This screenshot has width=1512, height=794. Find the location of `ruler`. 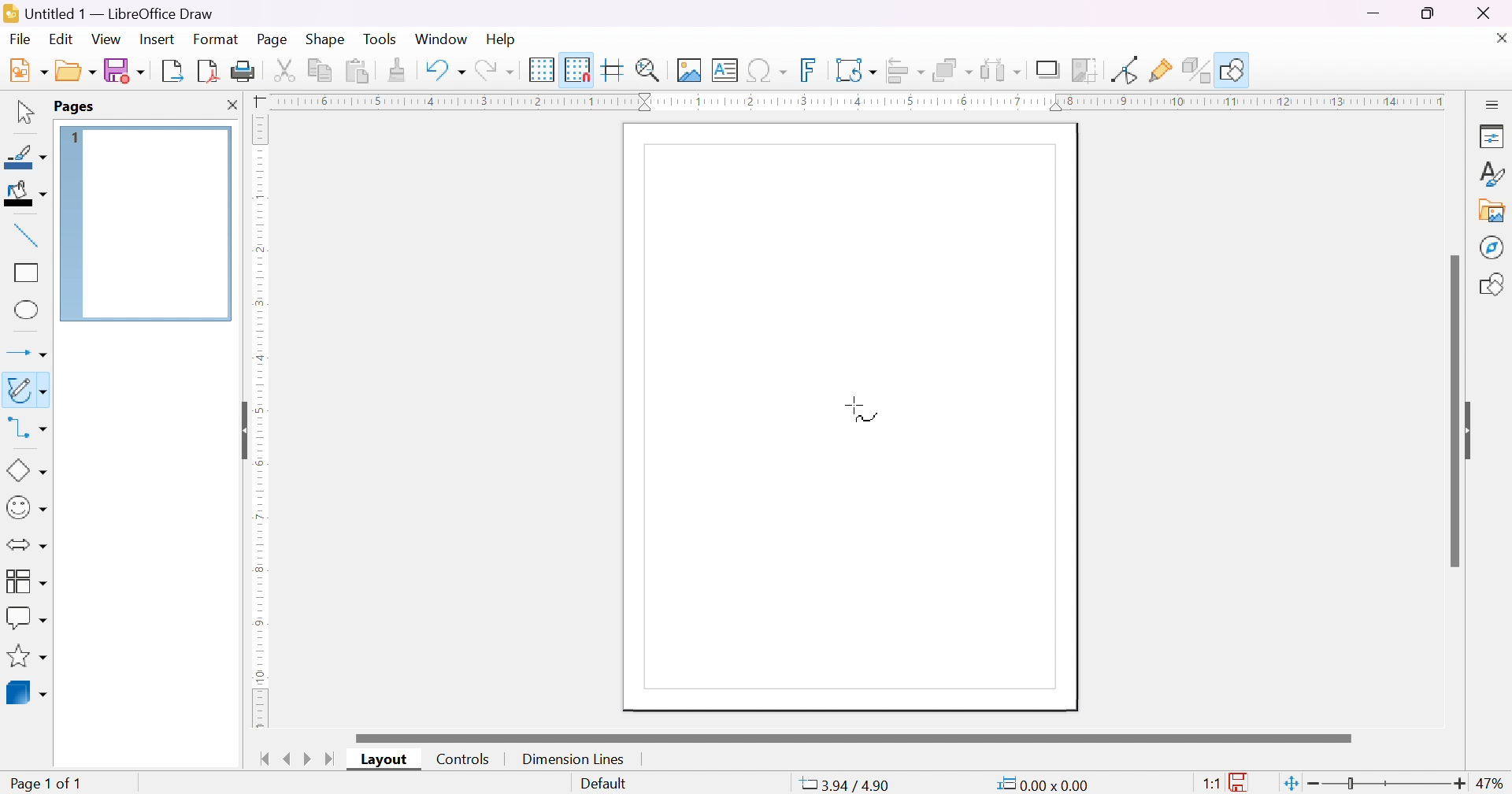

ruler is located at coordinates (256, 577).